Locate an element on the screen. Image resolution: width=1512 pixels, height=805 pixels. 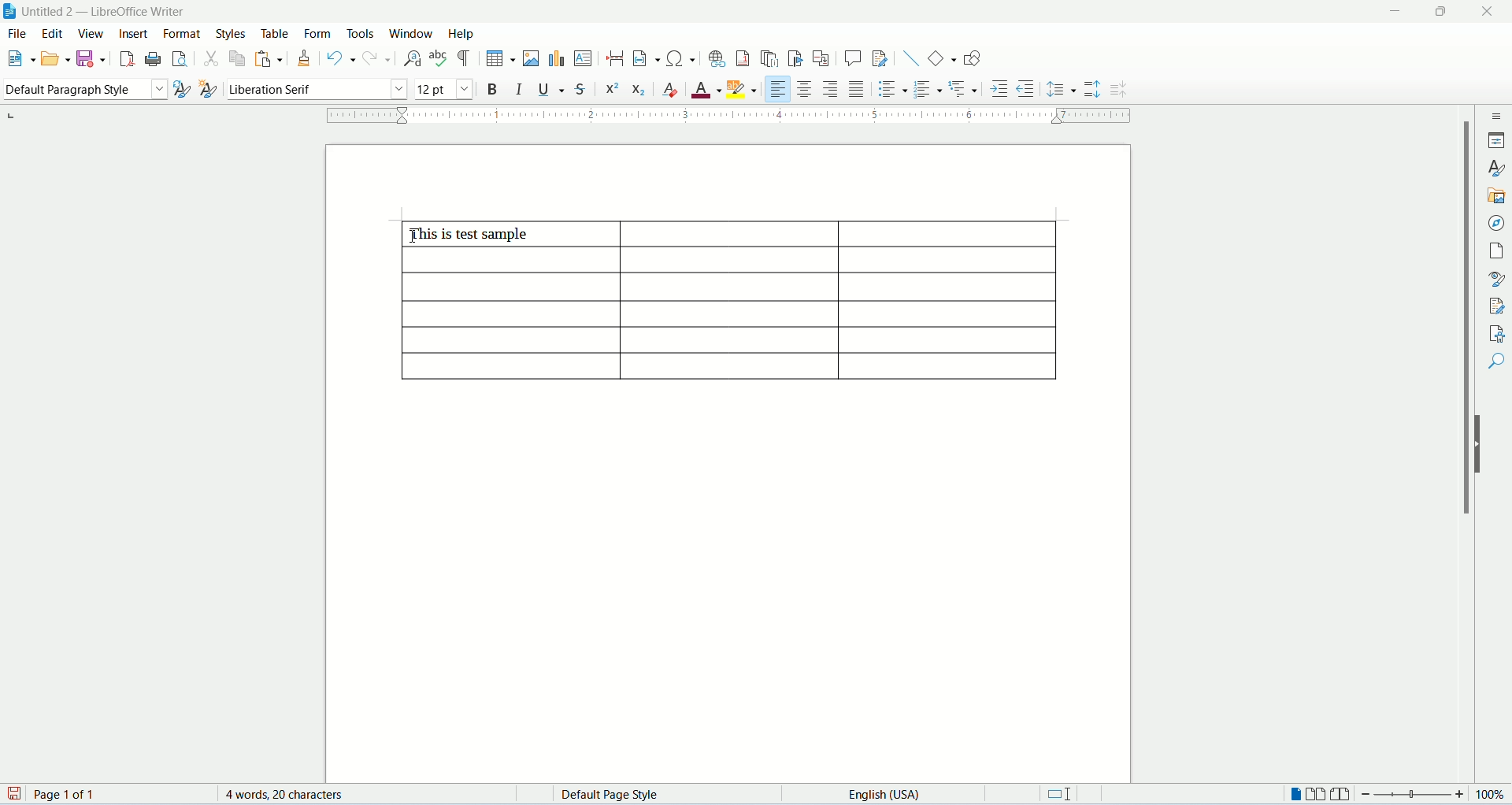
insert page break is located at coordinates (616, 57).